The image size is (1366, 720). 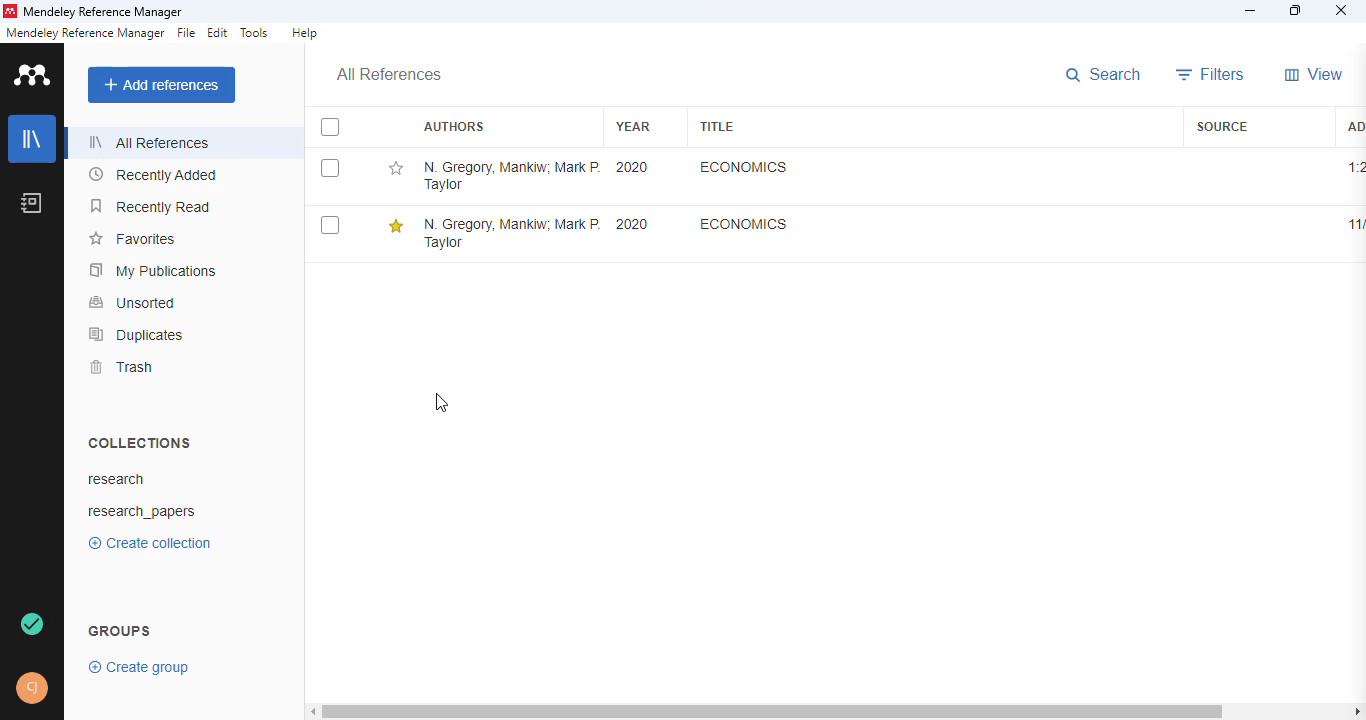 I want to click on title, so click(x=715, y=125).